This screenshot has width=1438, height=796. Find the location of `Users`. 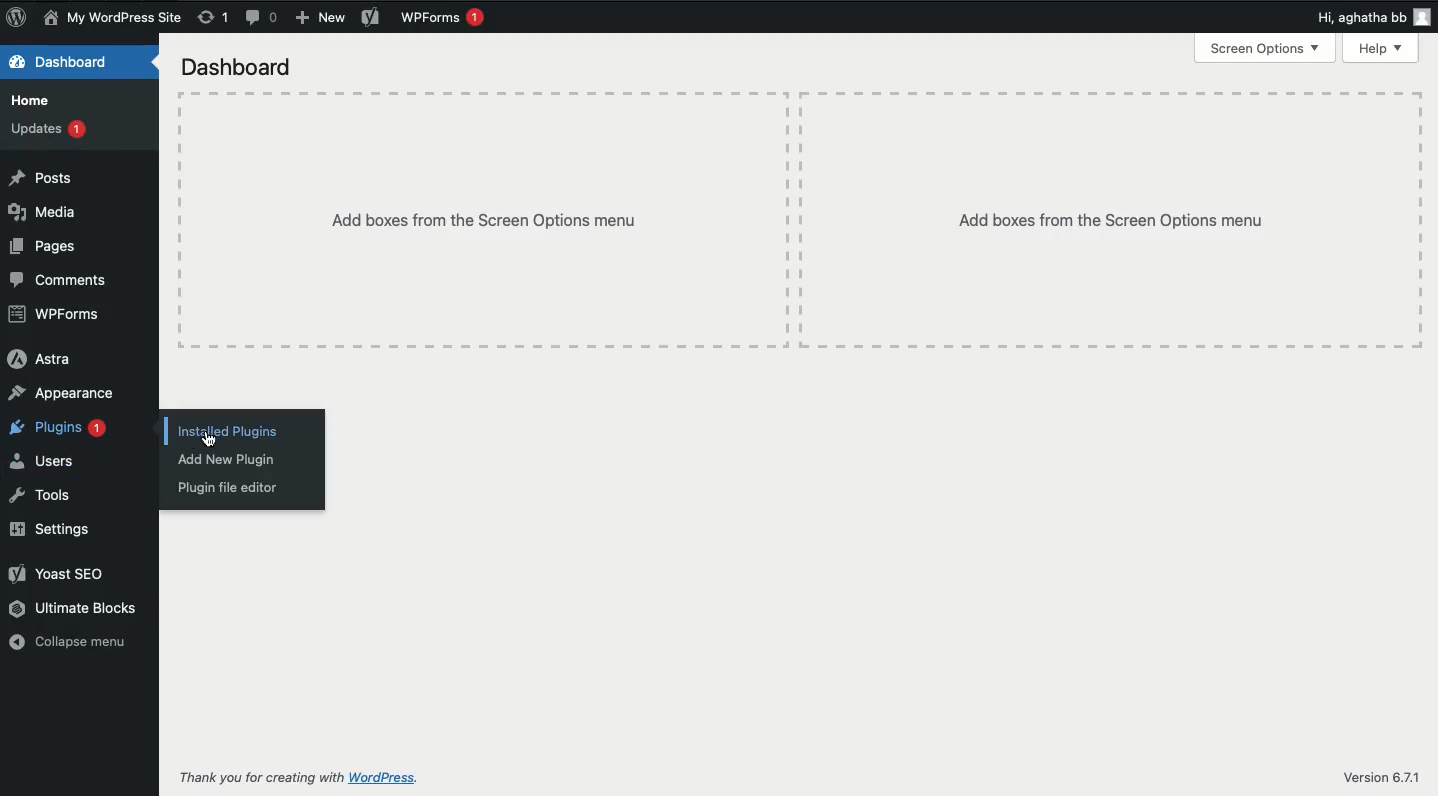

Users is located at coordinates (43, 461).